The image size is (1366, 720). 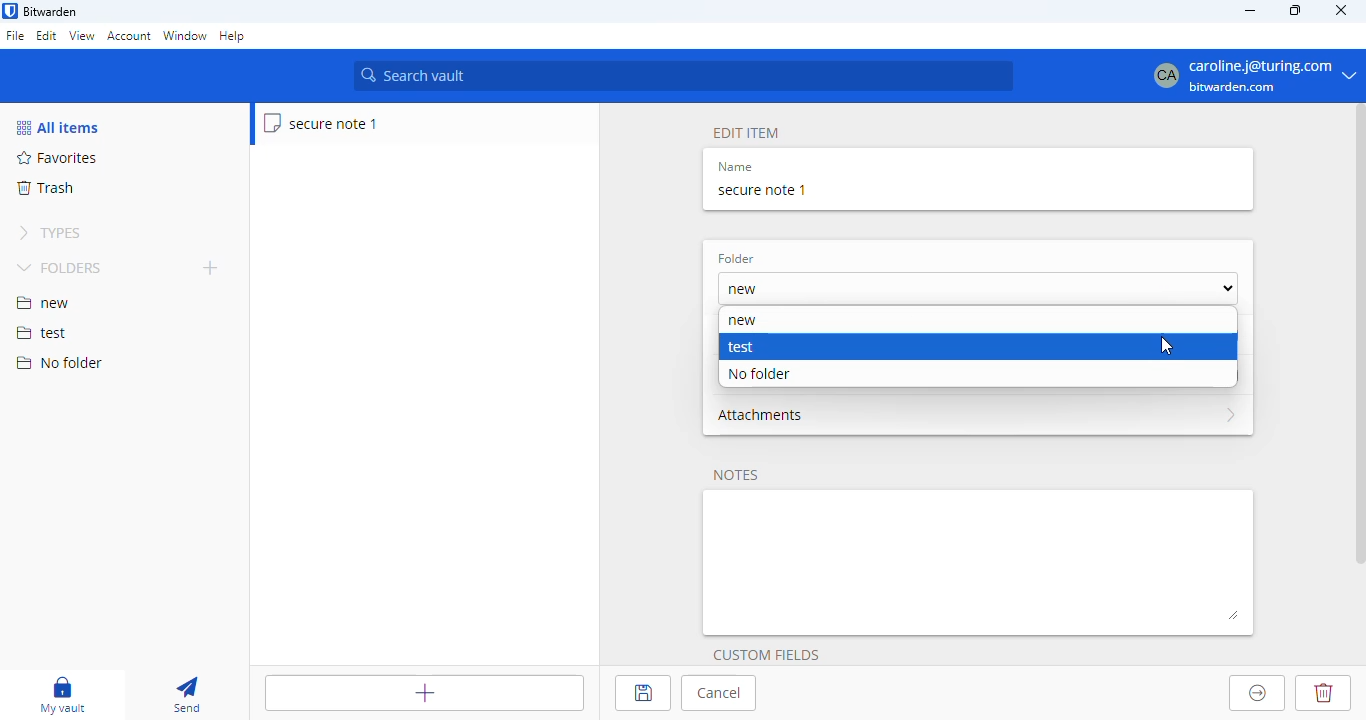 I want to click on search vault, so click(x=683, y=76).